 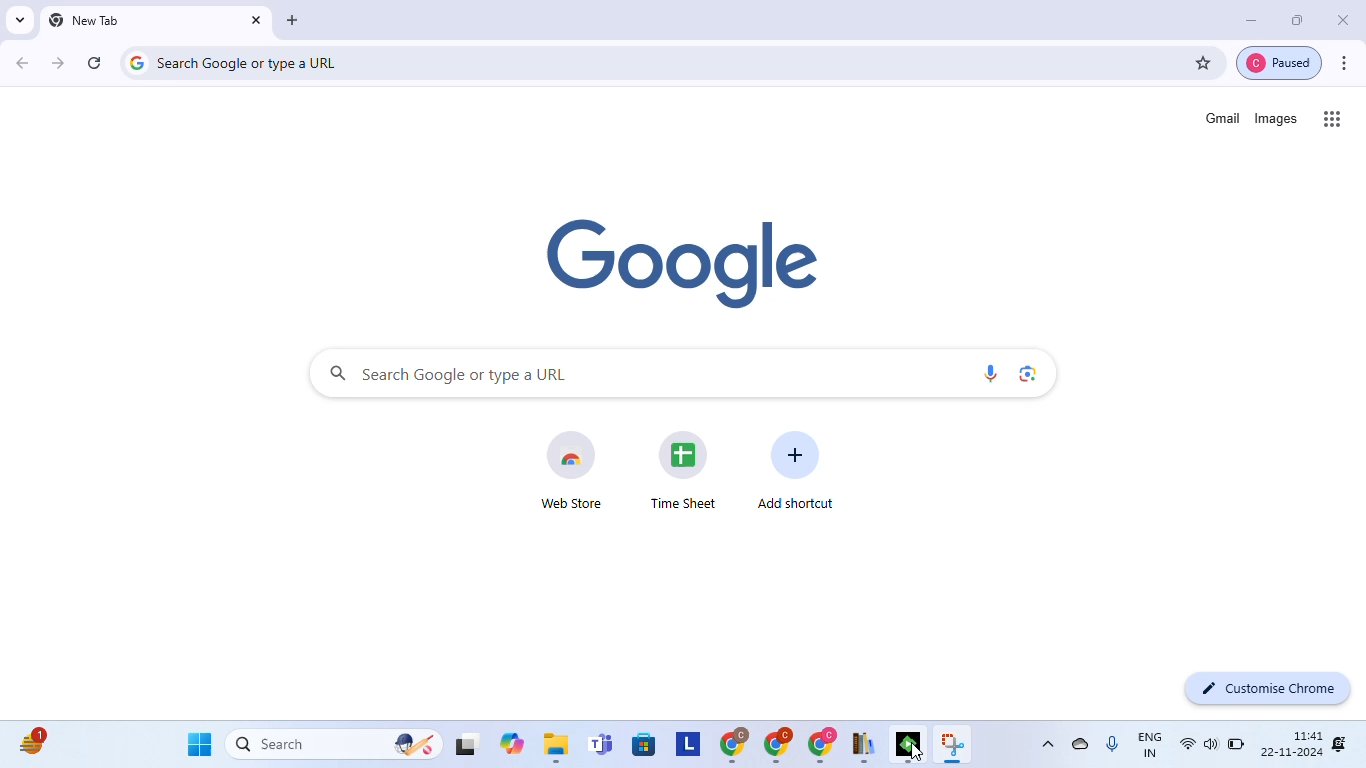 What do you see at coordinates (1153, 744) in the screenshot?
I see `ENG language` at bounding box center [1153, 744].